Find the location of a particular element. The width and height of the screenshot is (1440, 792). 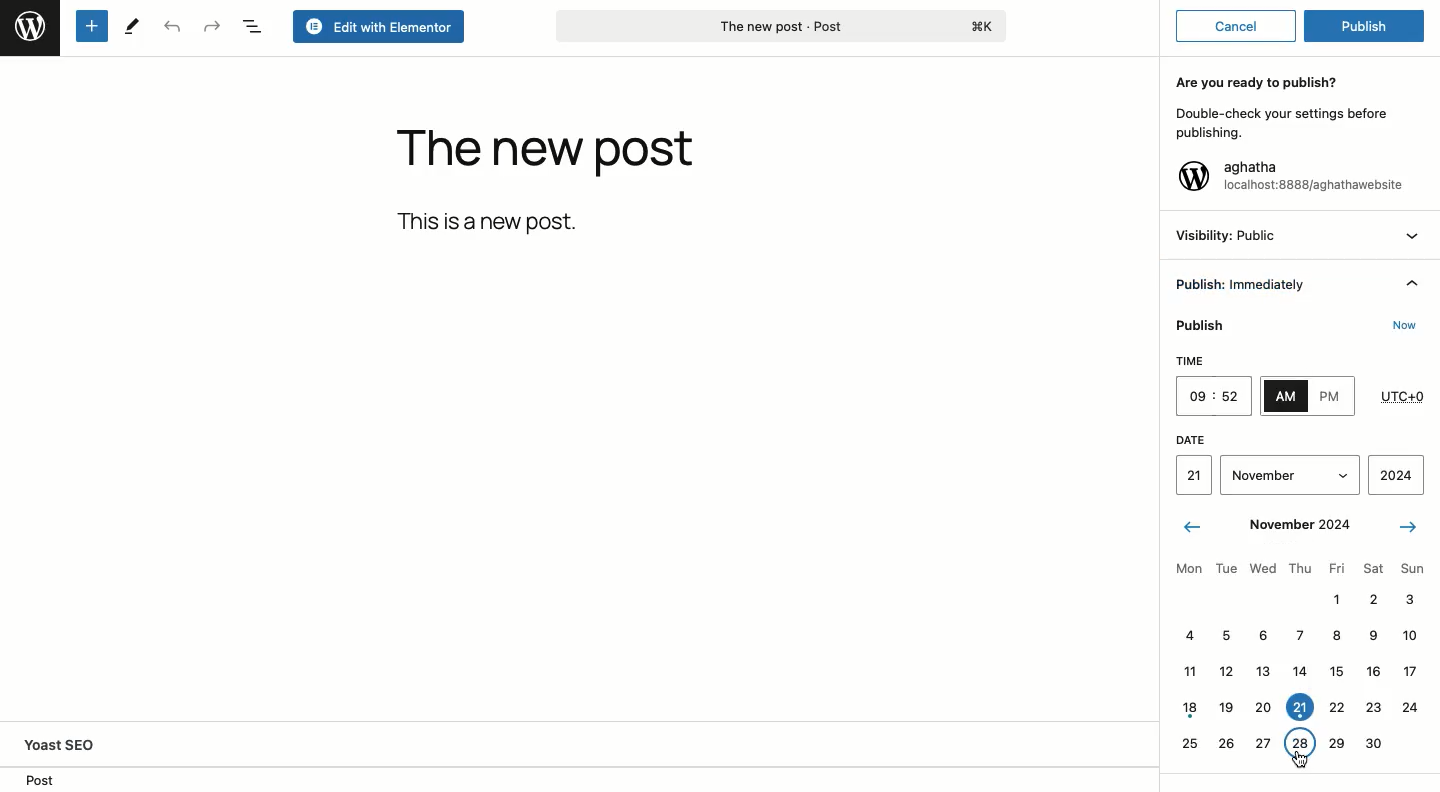

2 is located at coordinates (1373, 601).